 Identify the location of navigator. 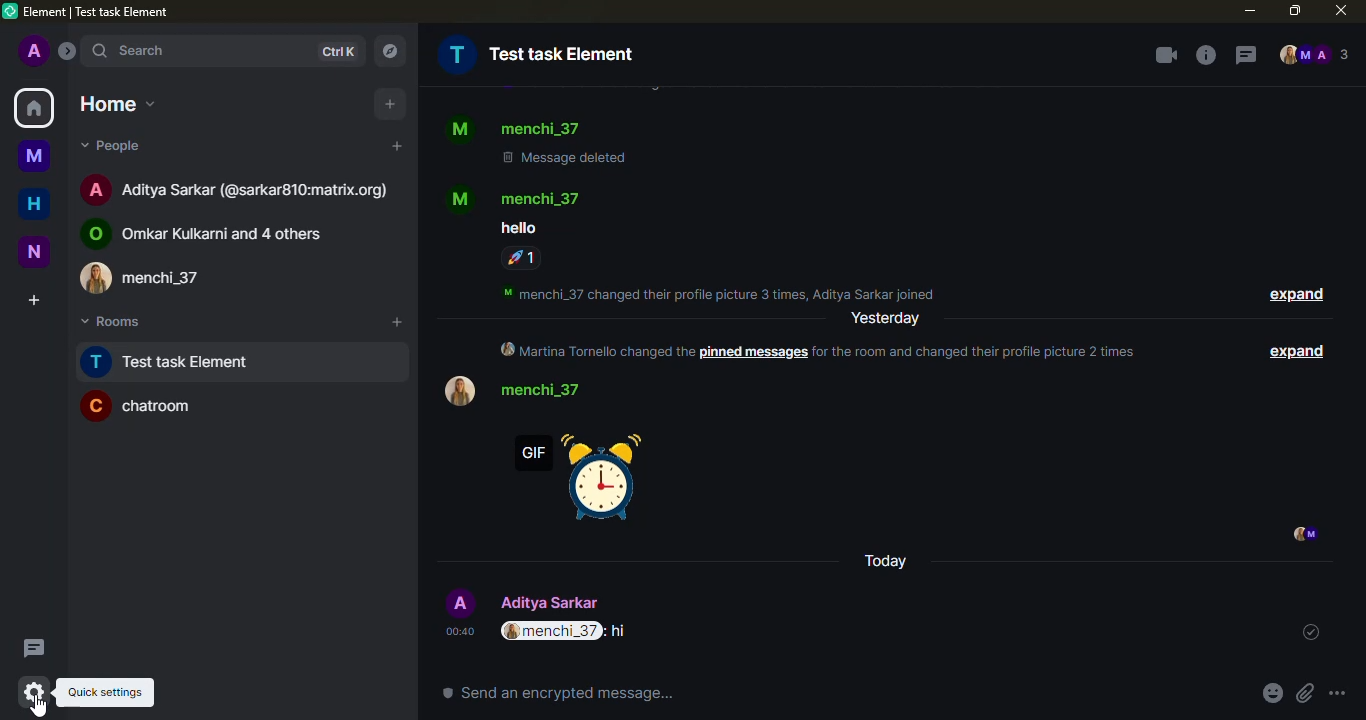
(387, 52).